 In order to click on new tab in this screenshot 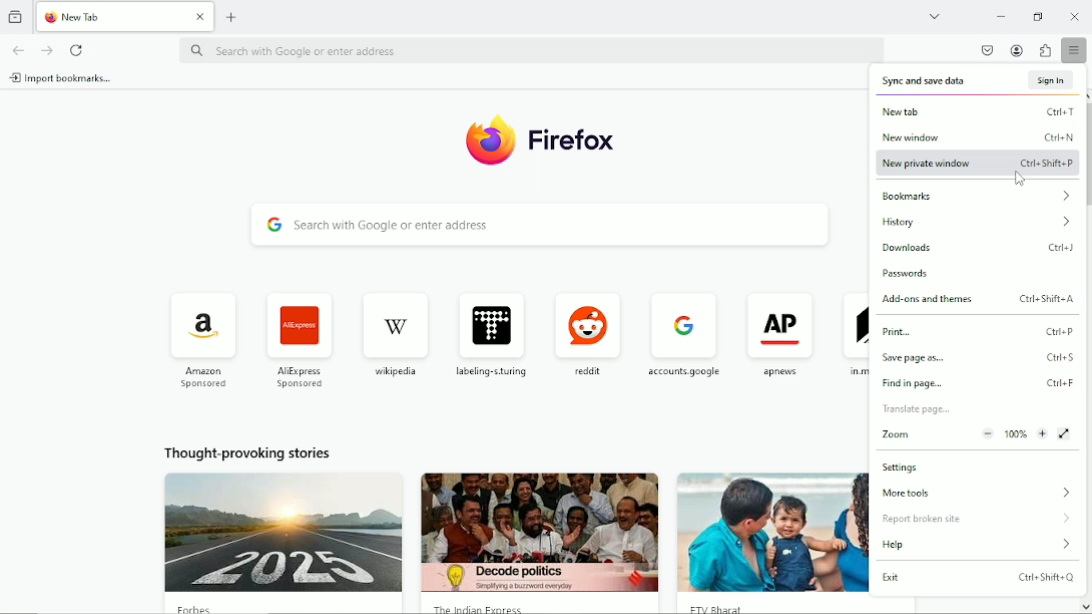, I will do `click(108, 16)`.